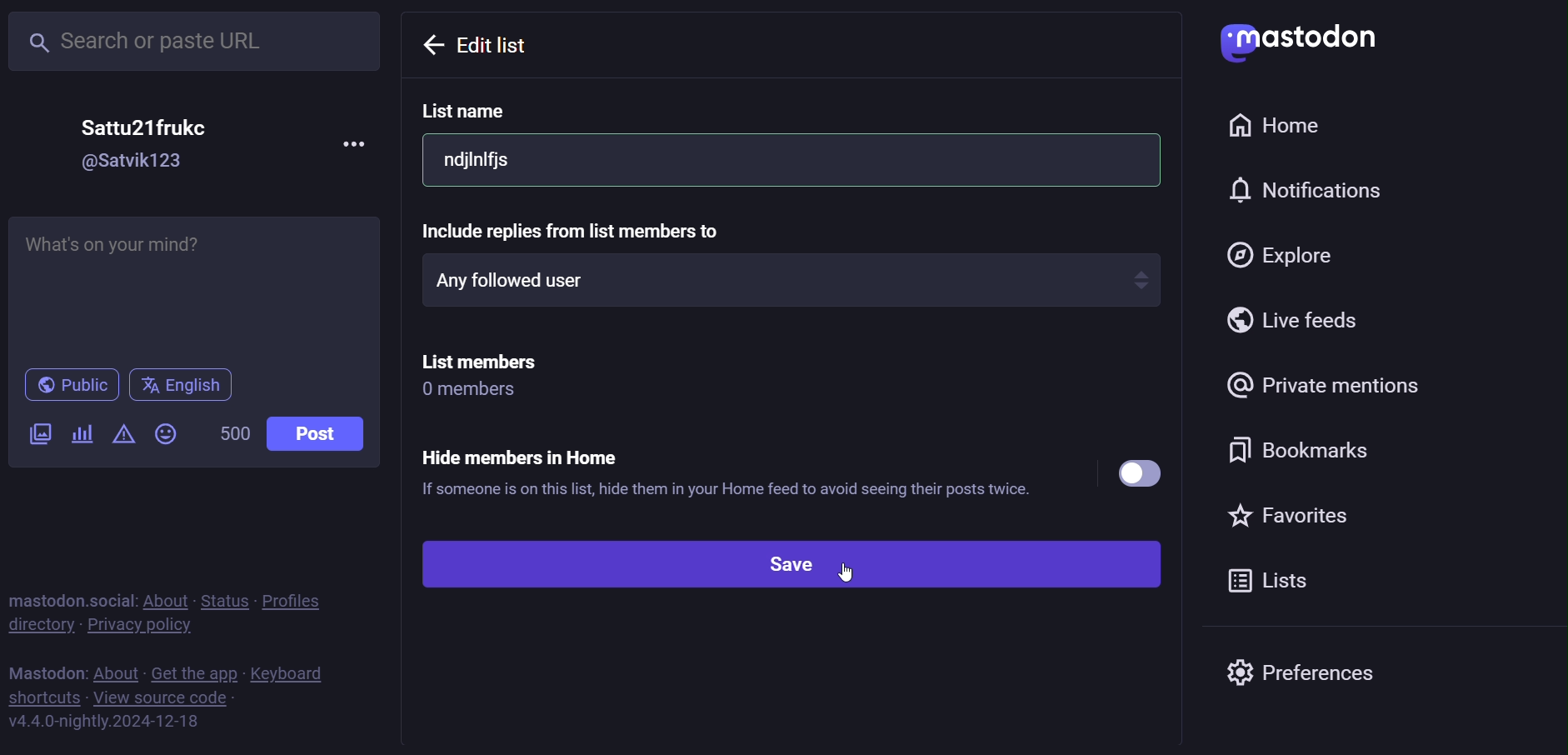 The image size is (1568, 755). What do you see at coordinates (1270, 579) in the screenshot?
I see `list` at bounding box center [1270, 579].